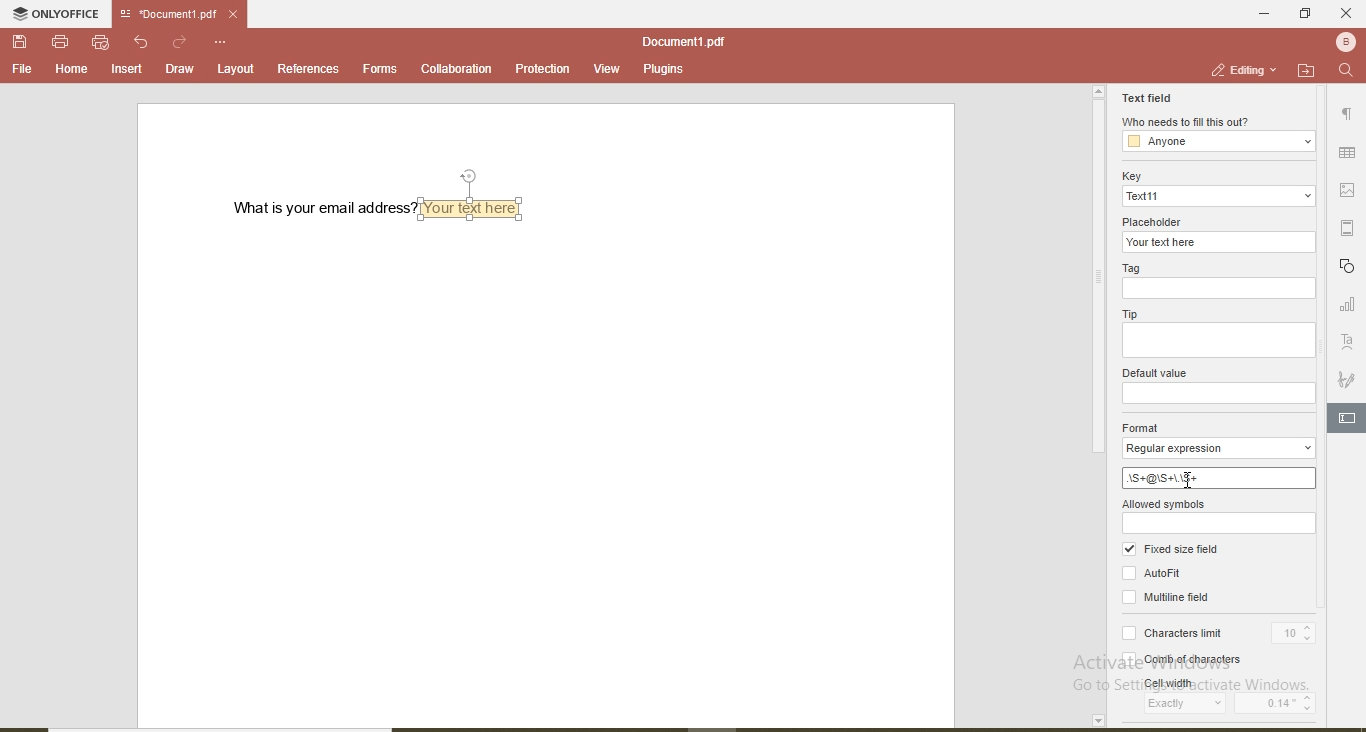 This screenshot has height=732, width=1366. Describe the element at coordinates (237, 68) in the screenshot. I see `layout` at that location.